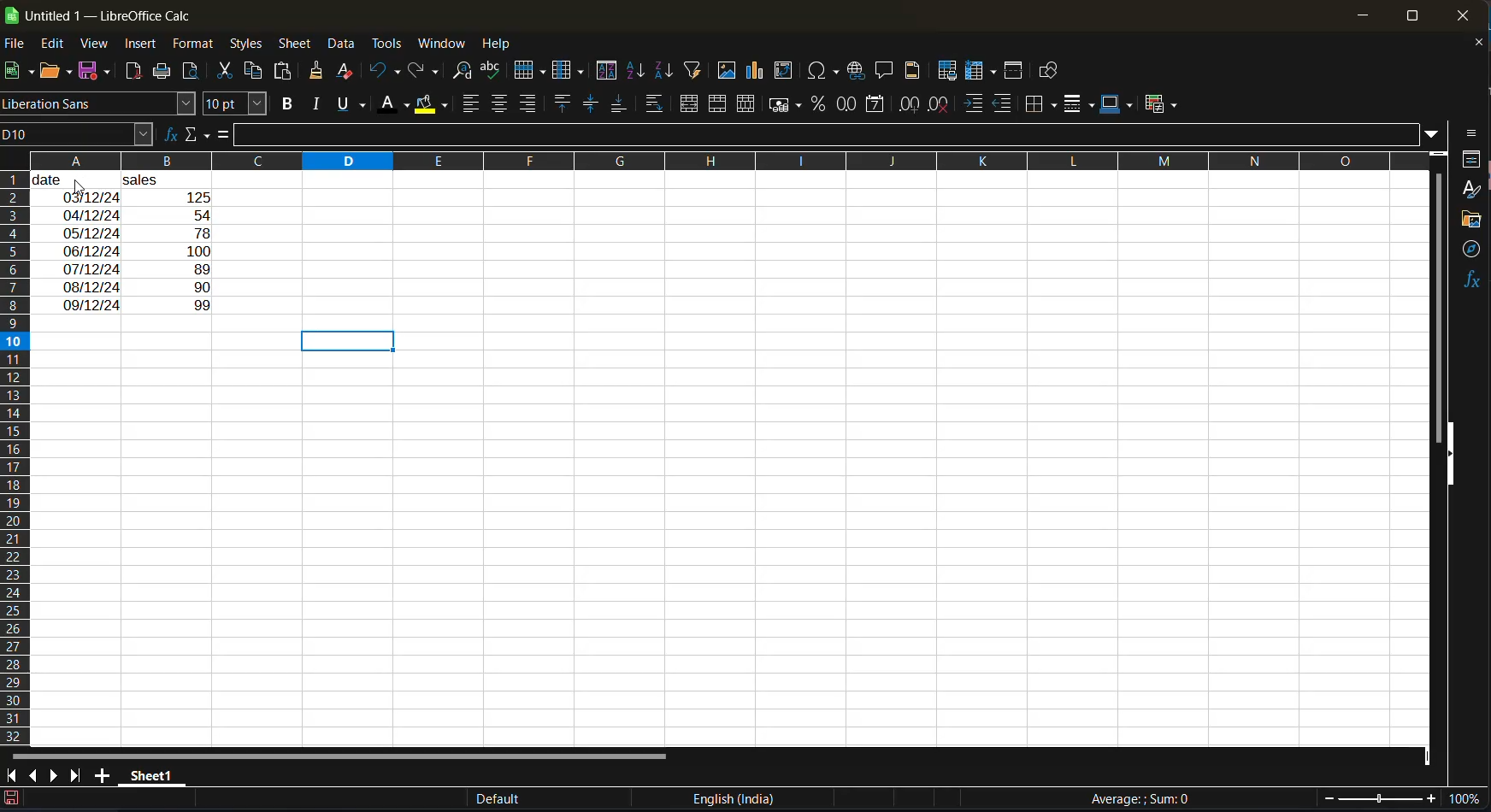 The width and height of the screenshot is (1491, 812). I want to click on maximize, so click(1408, 15).